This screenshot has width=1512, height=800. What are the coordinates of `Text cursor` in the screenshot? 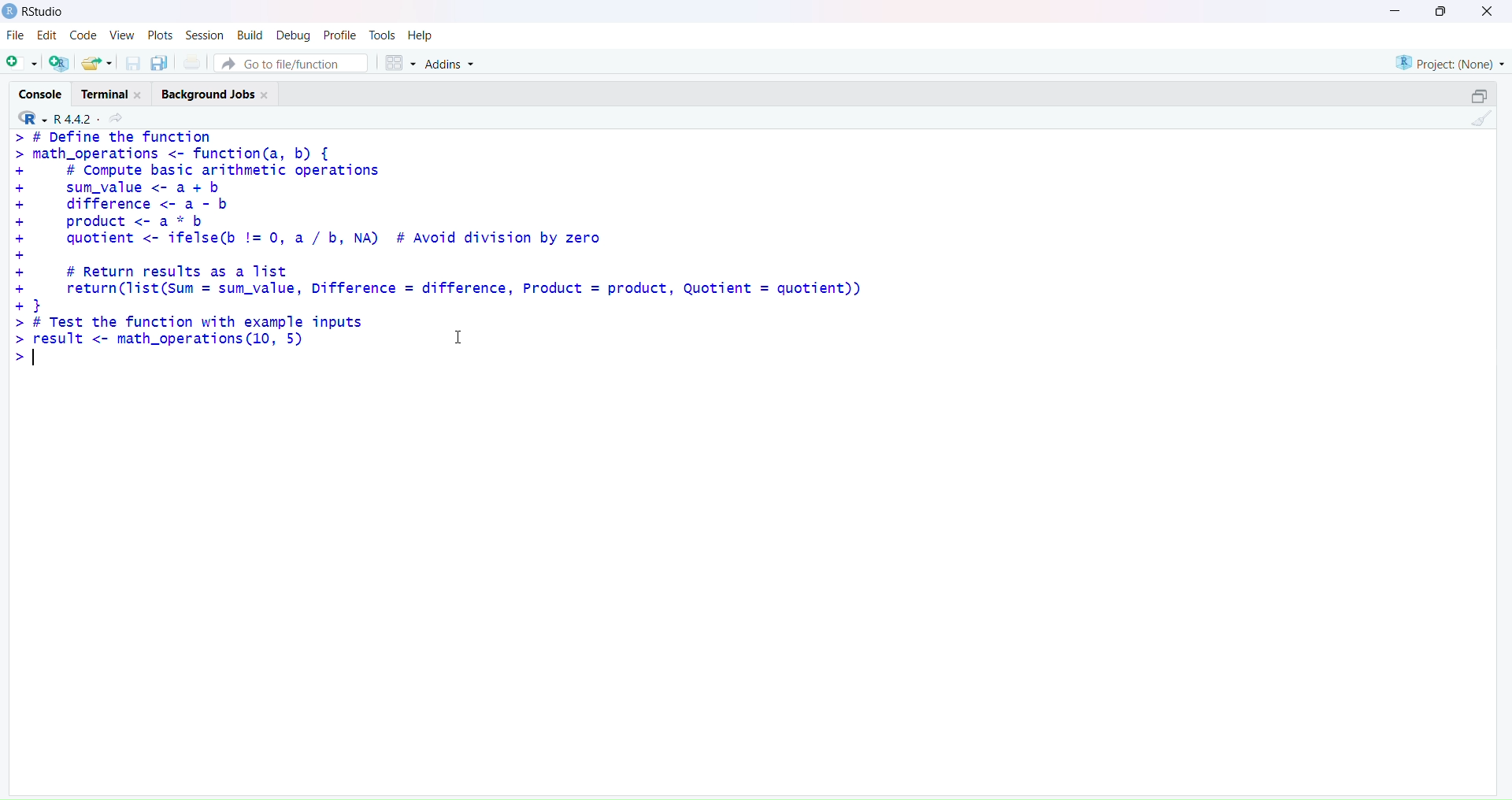 It's located at (462, 335).